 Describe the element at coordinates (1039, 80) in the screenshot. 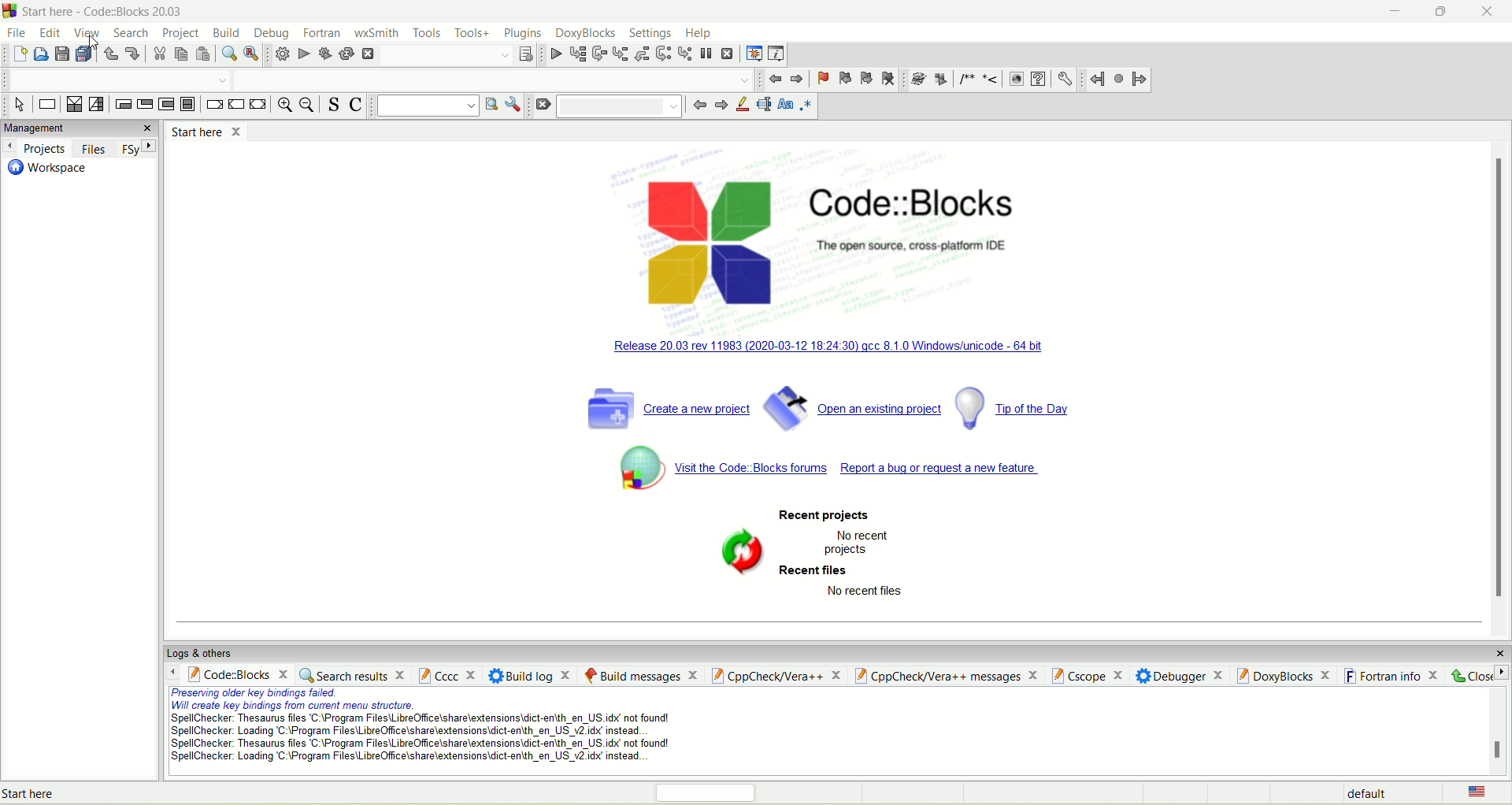

I see `help` at that location.